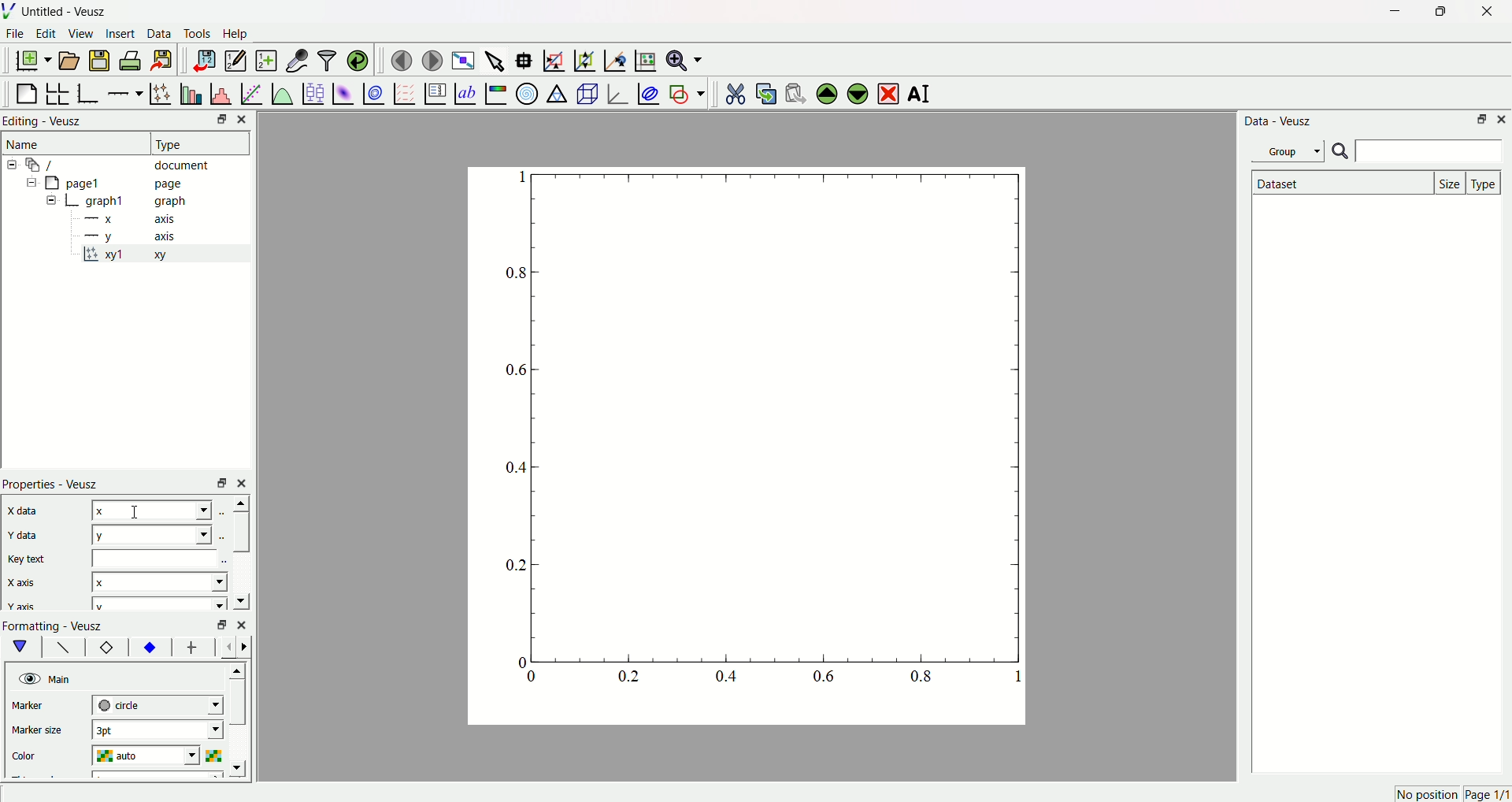 The image size is (1512, 802). What do you see at coordinates (1425, 794) in the screenshot?
I see `no position` at bounding box center [1425, 794].